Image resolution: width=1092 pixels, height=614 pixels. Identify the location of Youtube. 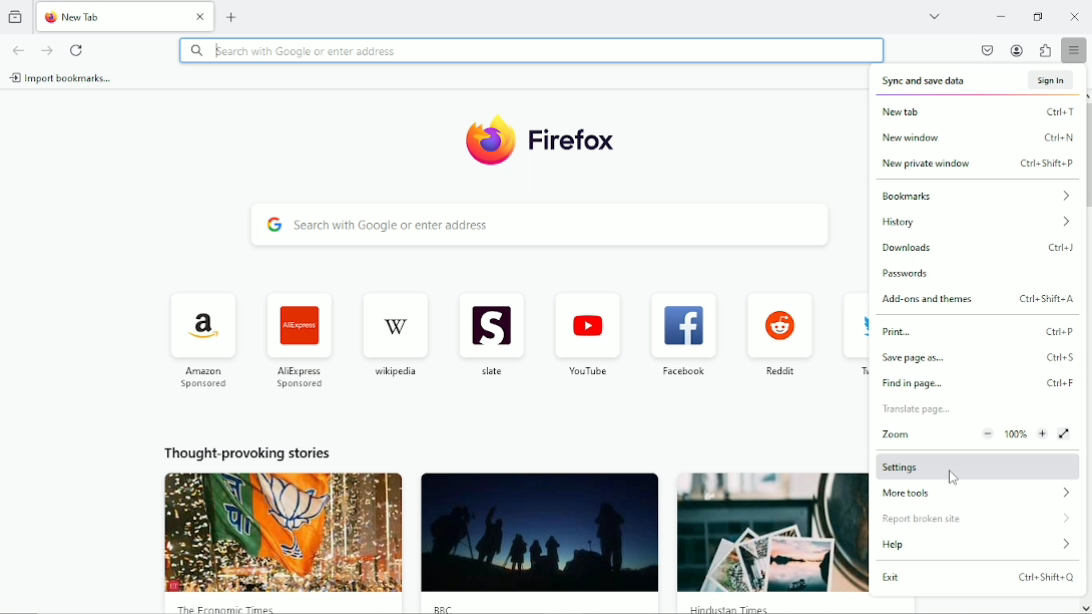
(589, 333).